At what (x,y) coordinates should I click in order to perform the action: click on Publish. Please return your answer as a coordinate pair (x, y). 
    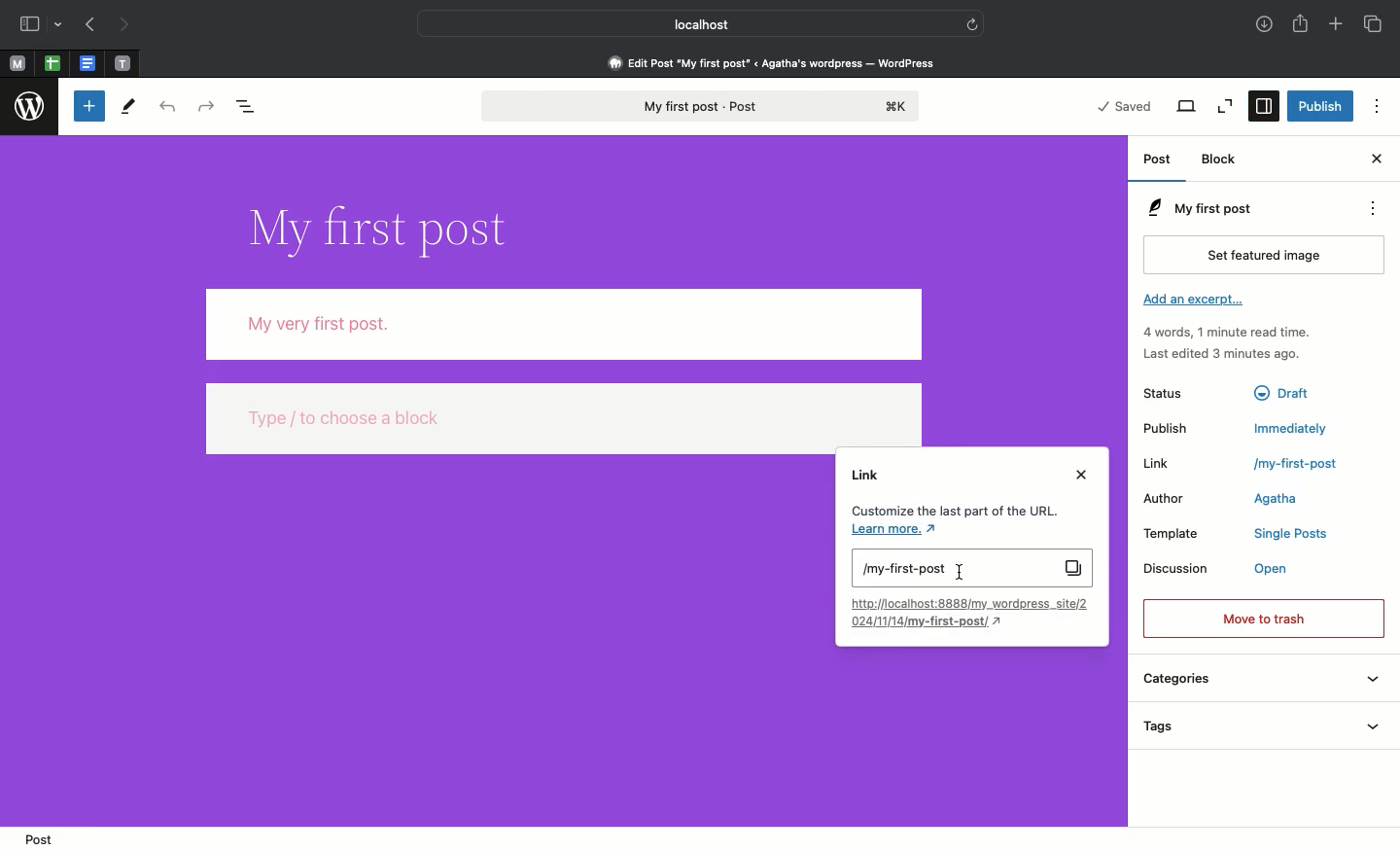
    Looking at the image, I should click on (1319, 105).